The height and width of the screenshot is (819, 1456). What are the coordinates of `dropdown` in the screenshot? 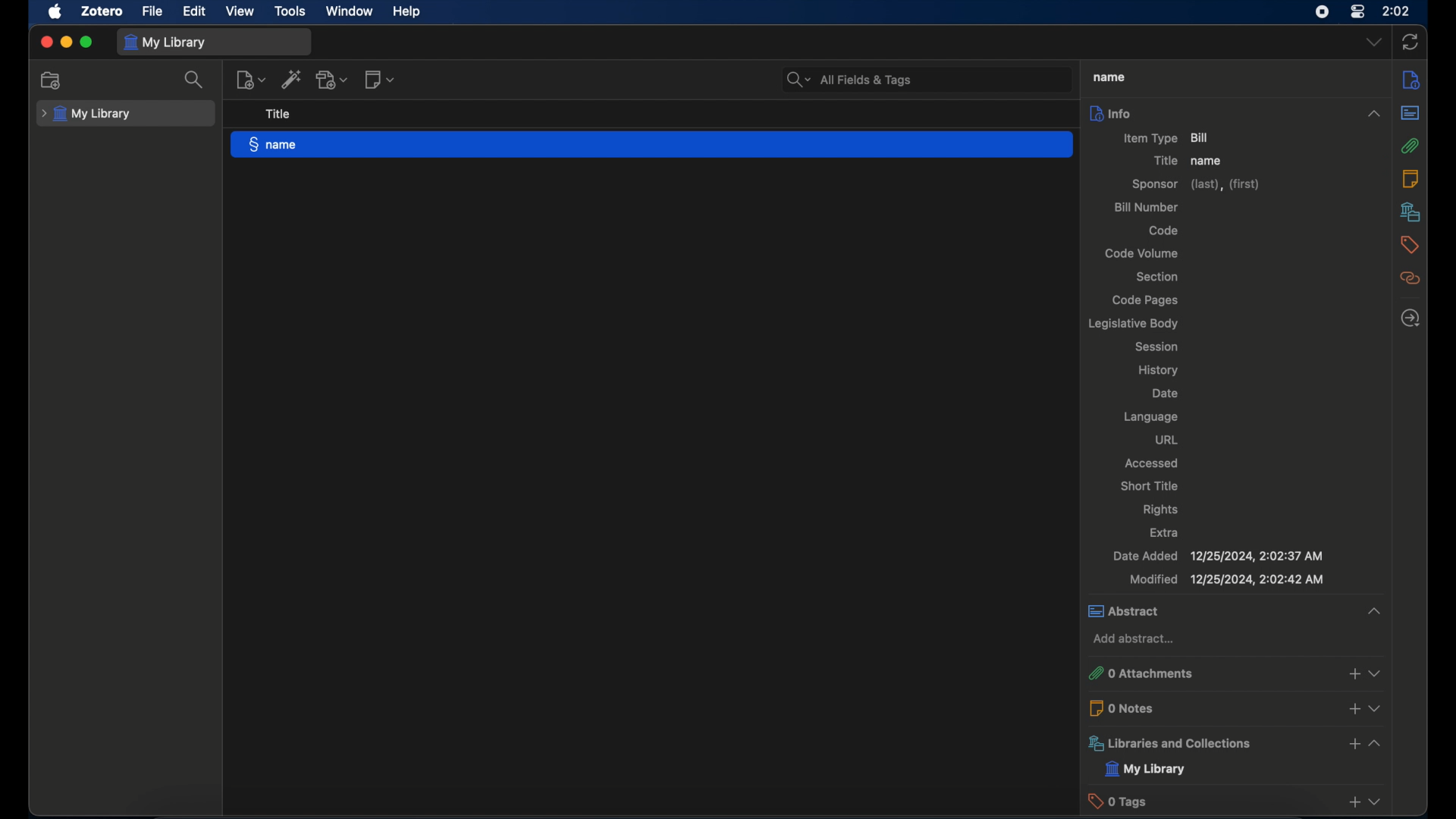 It's located at (1373, 42).